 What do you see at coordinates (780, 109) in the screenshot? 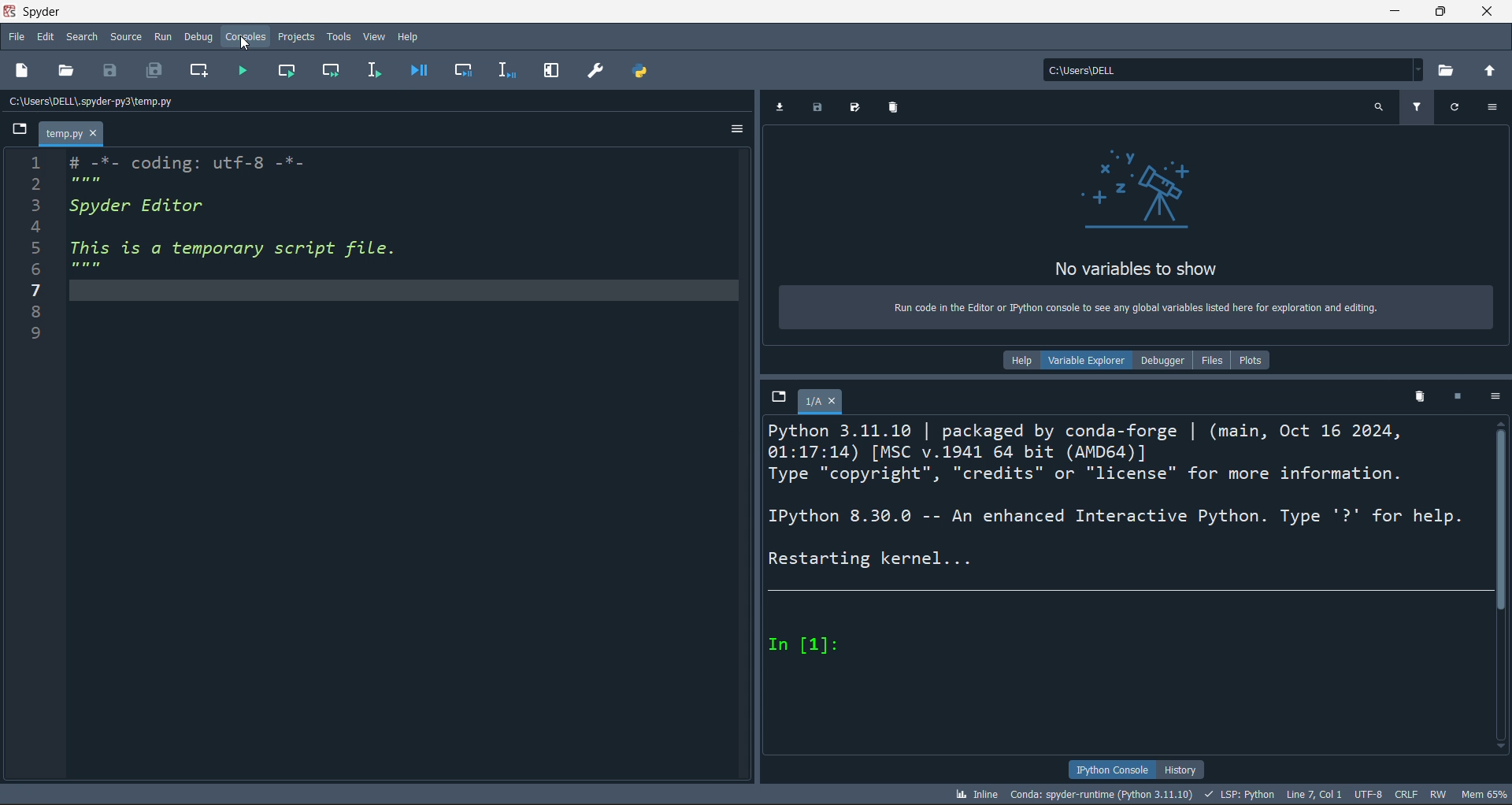
I see `import` at bounding box center [780, 109].